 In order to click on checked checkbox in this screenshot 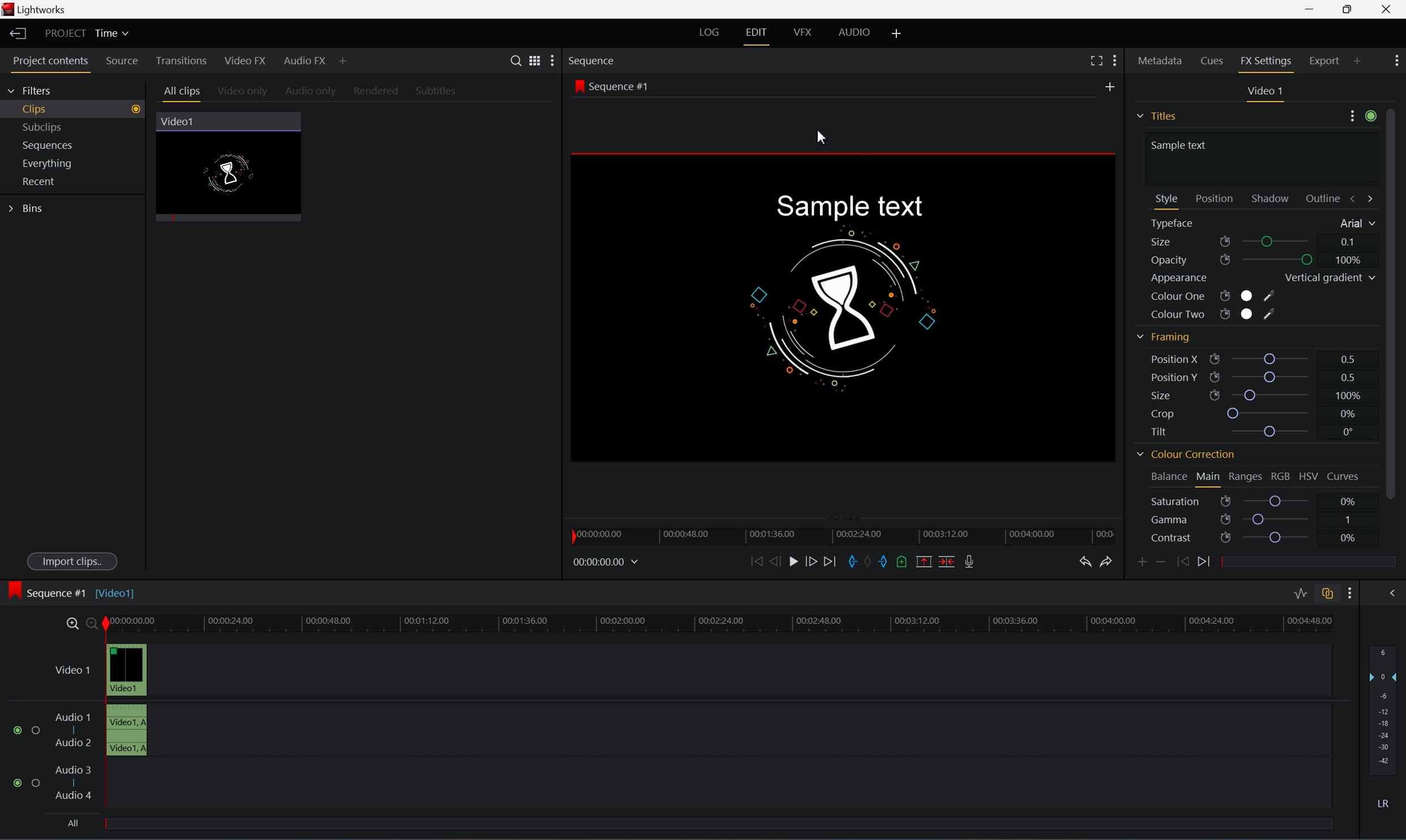, I will do `click(20, 730)`.